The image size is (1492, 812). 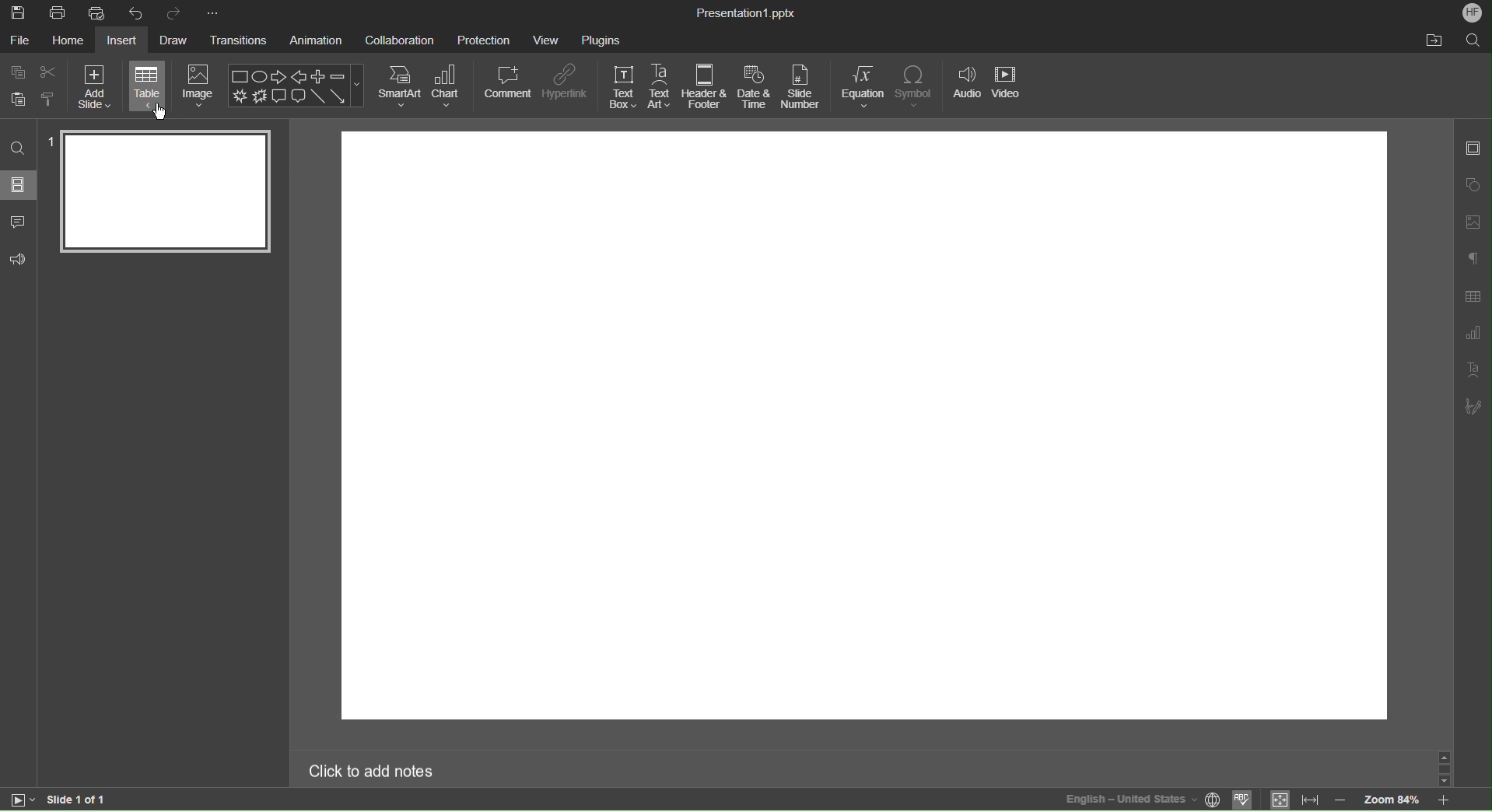 What do you see at coordinates (313, 41) in the screenshot?
I see `Animation` at bounding box center [313, 41].